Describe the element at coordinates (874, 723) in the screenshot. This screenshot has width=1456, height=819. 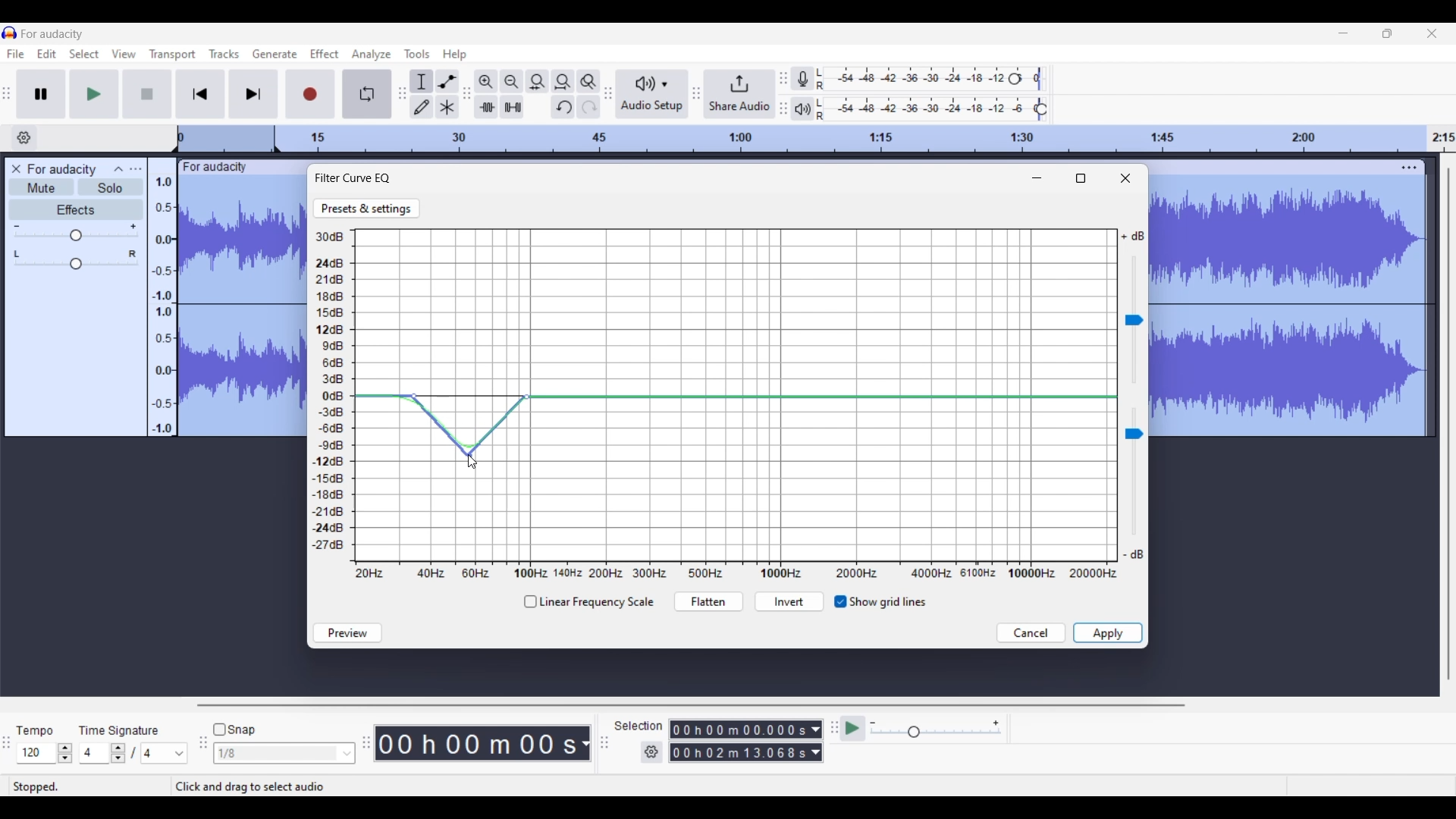
I see `Min. playback speed` at that location.